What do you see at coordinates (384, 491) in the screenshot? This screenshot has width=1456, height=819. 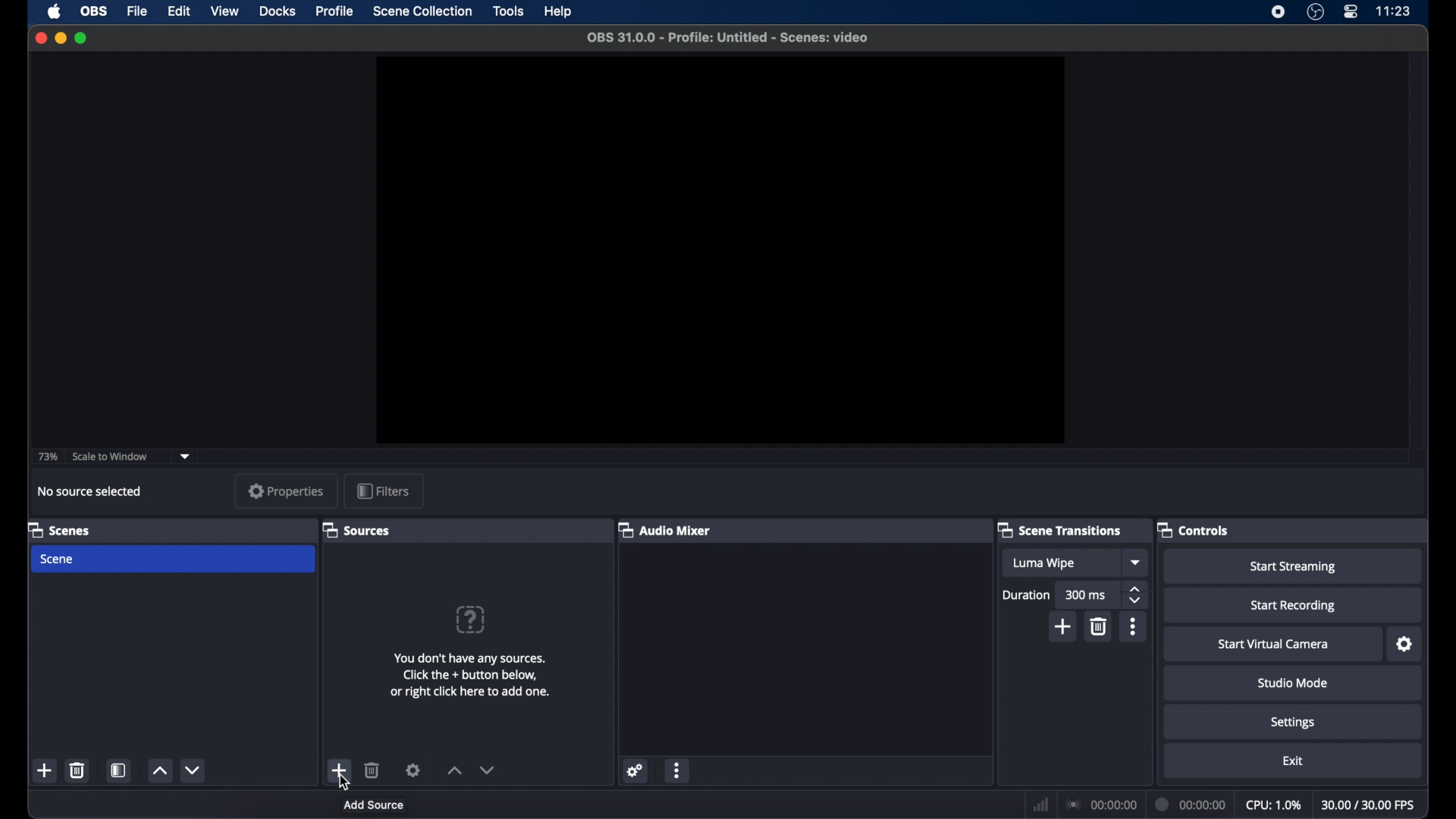 I see `filters` at bounding box center [384, 491].